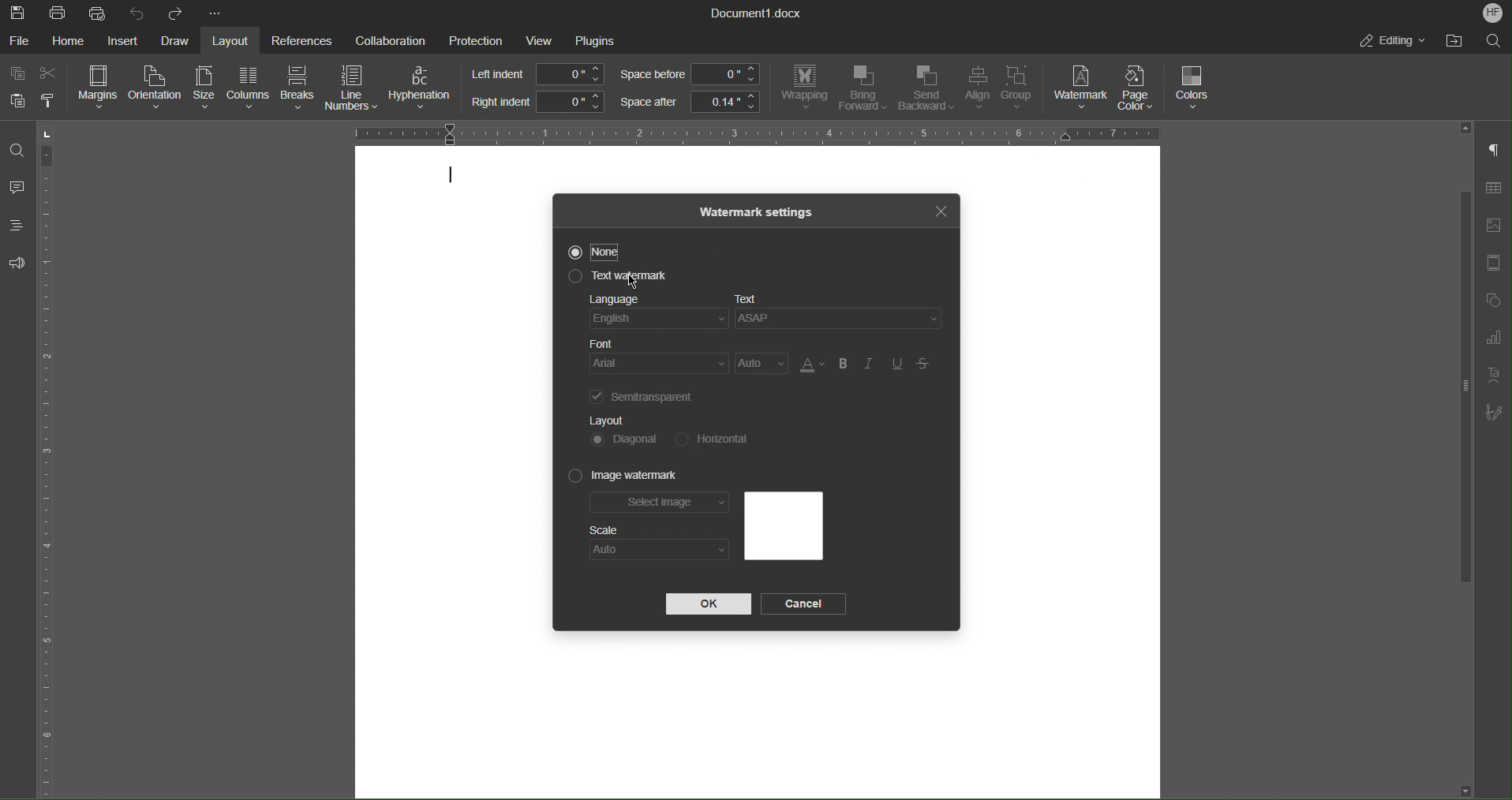  Describe the element at coordinates (298, 89) in the screenshot. I see `Breaks` at that location.